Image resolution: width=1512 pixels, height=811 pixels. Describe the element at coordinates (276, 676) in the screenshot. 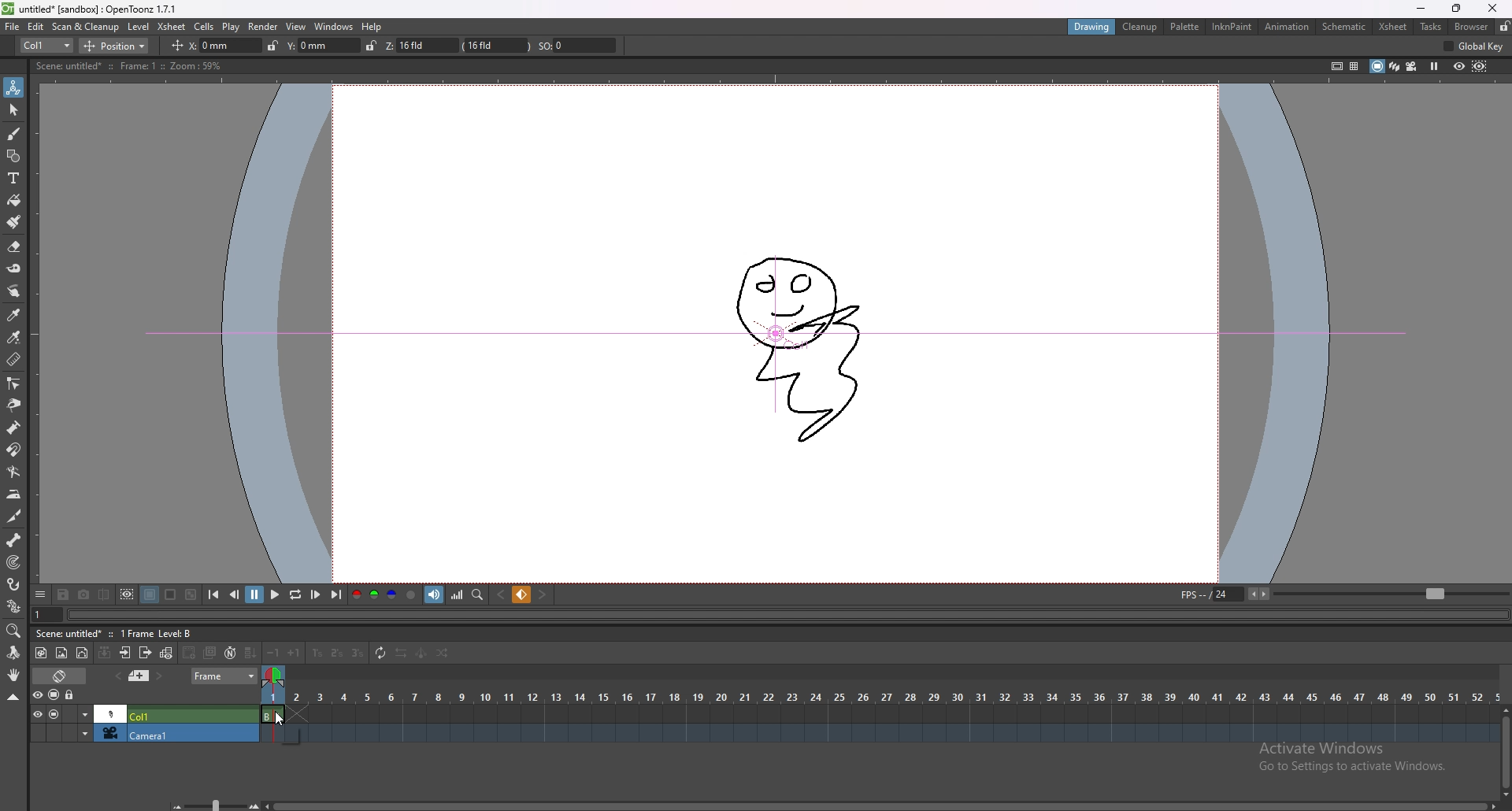

I see `frame selector` at that location.